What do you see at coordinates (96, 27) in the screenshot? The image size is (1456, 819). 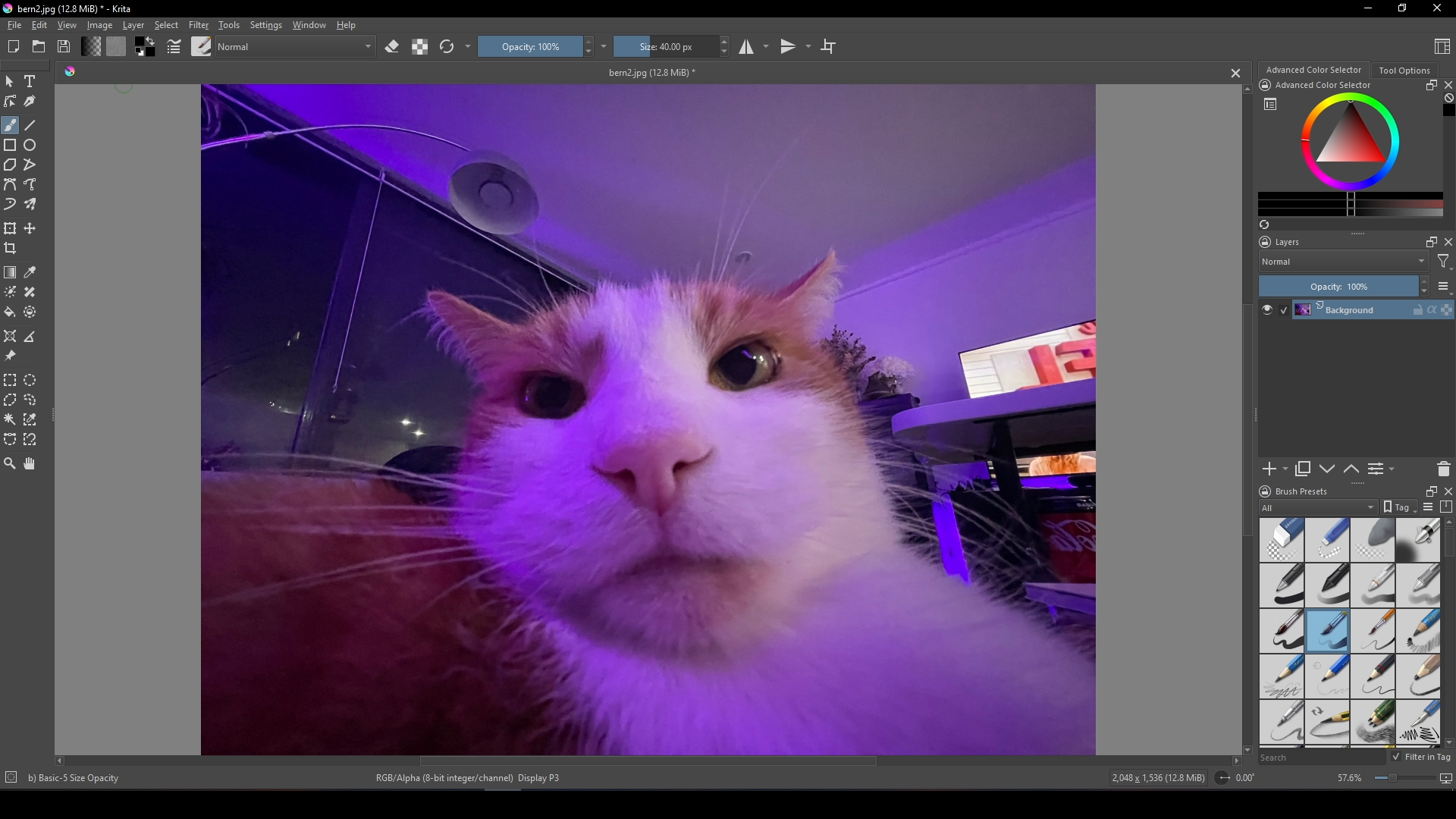 I see `image` at bounding box center [96, 27].